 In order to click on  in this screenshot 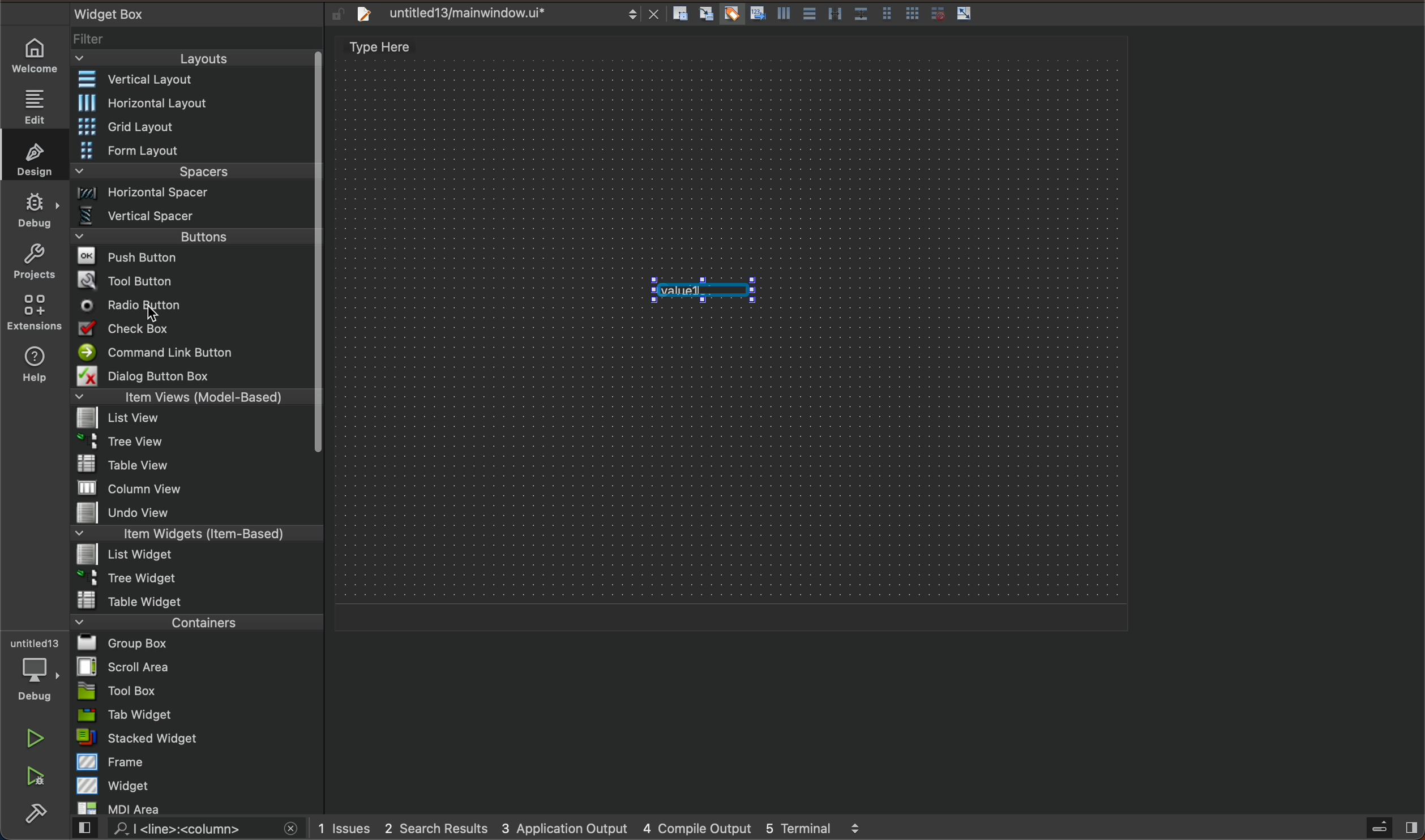, I will do `click(886, 15)`.